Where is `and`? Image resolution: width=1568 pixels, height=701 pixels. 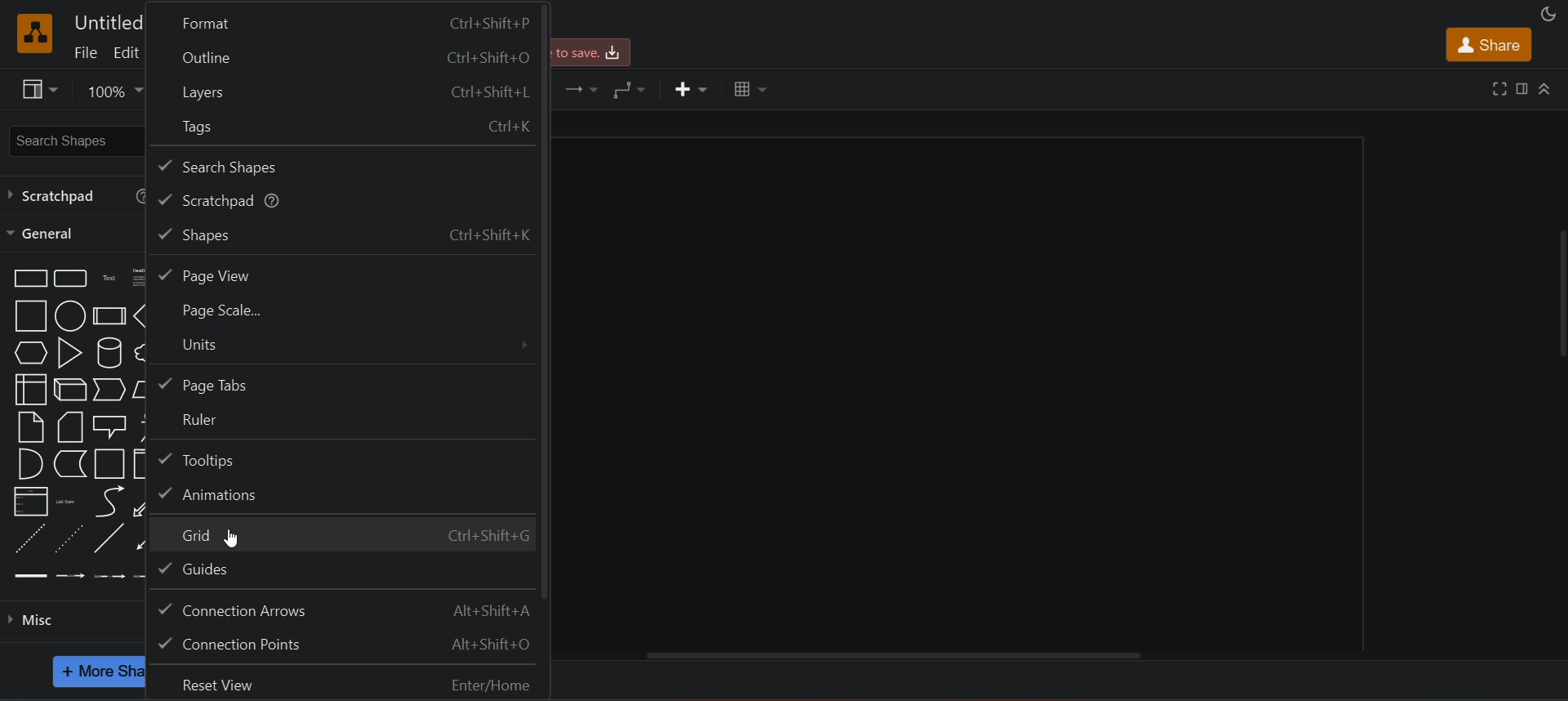 and is located at coordinates (27, 462).